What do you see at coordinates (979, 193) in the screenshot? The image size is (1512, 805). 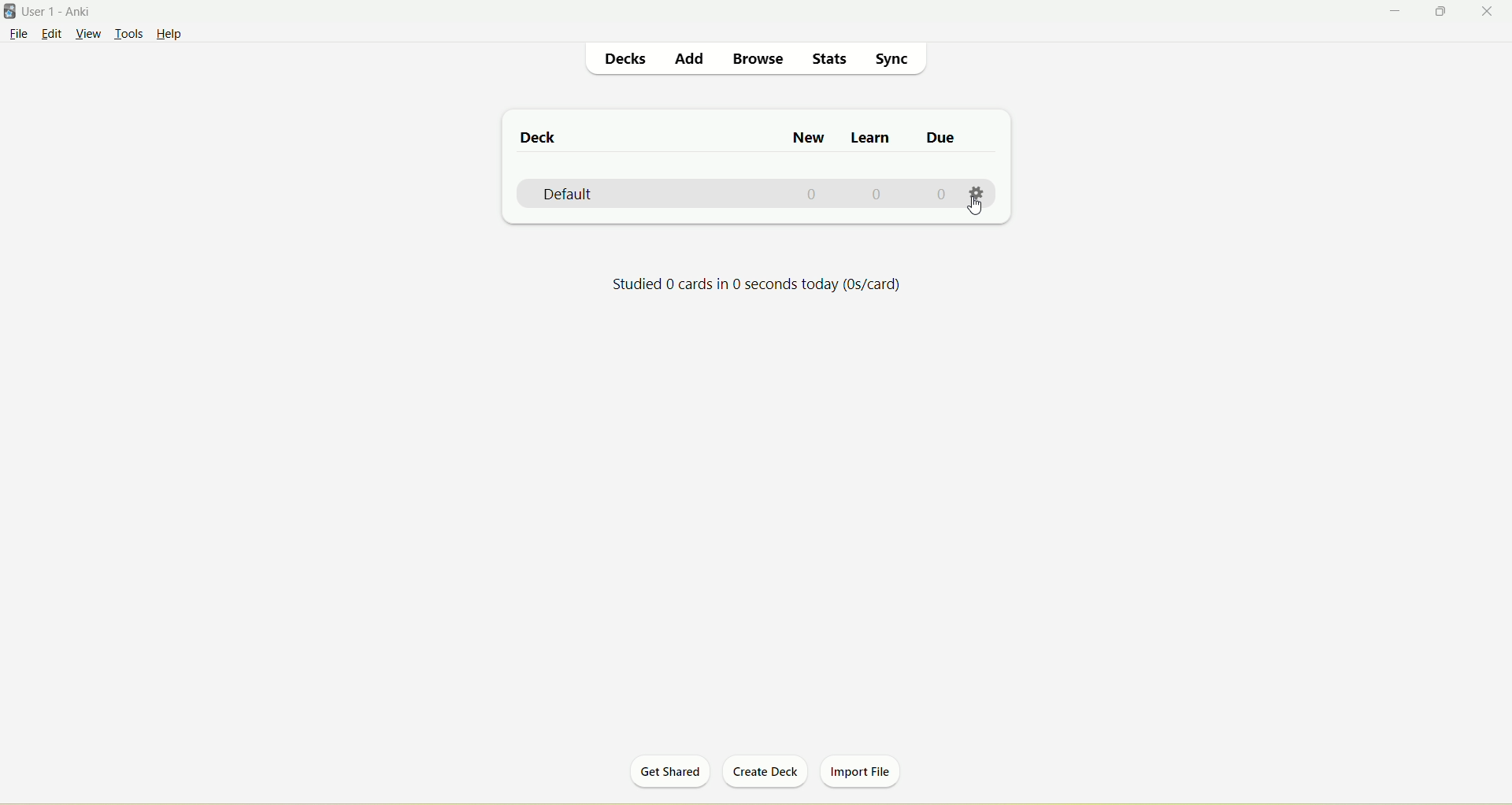 I see `settings` at bounding box center [979, 193].